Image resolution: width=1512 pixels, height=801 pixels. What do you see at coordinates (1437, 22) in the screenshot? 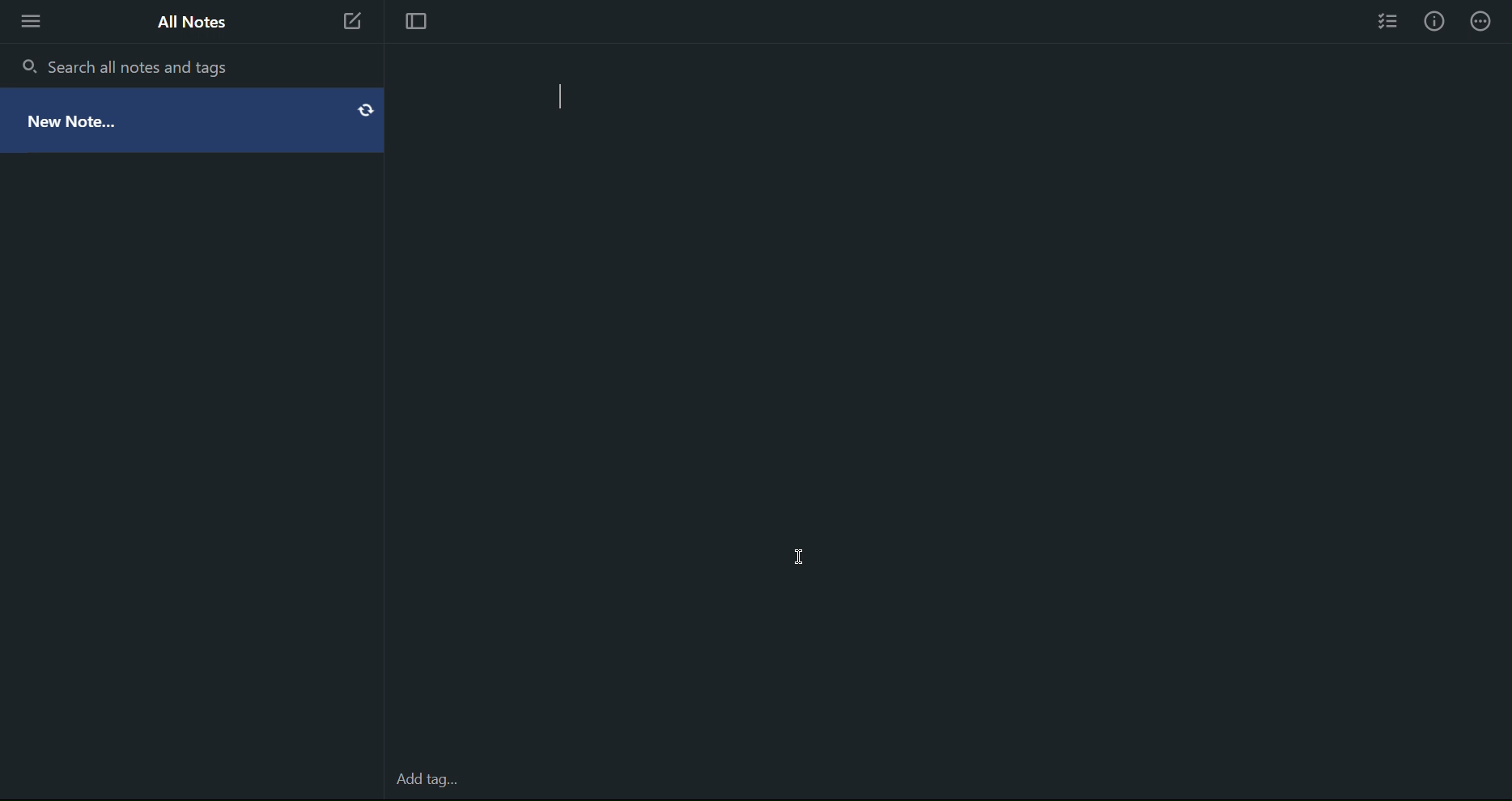
I see `Info` at bounding box center [1437, 22].